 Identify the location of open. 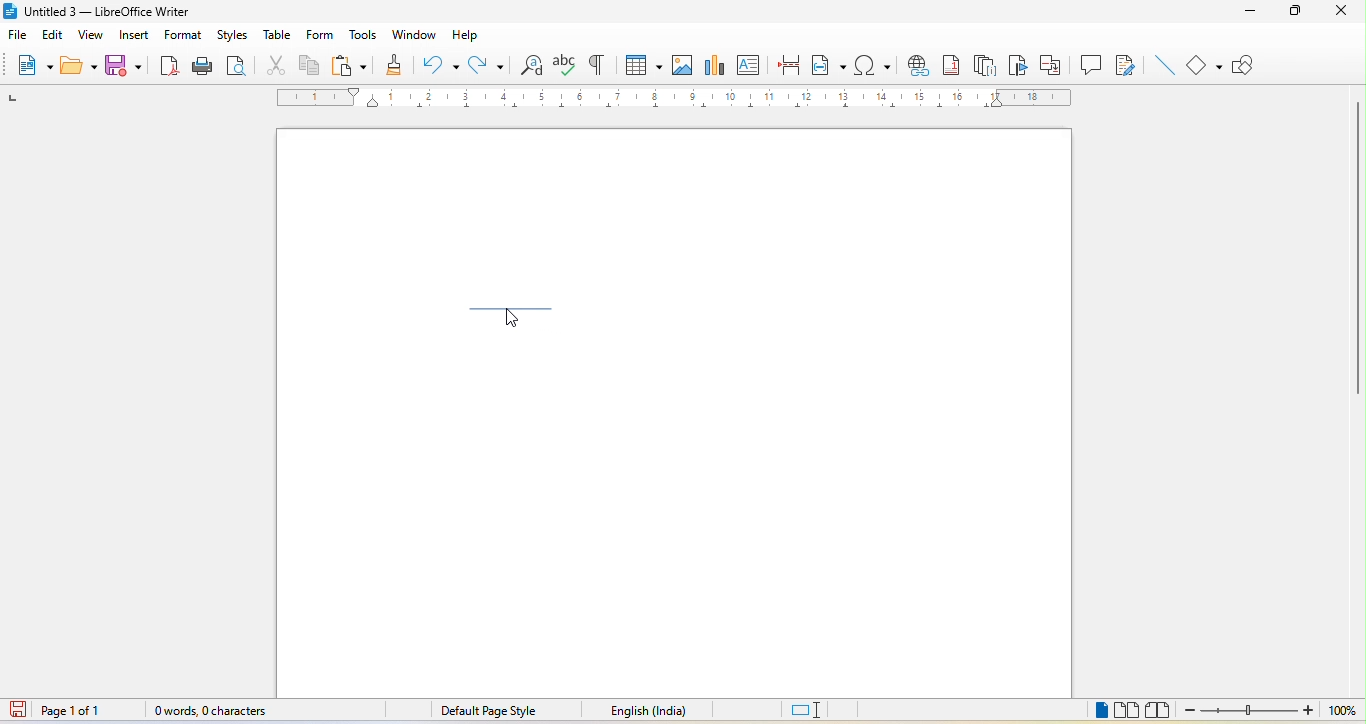
(75, 67).